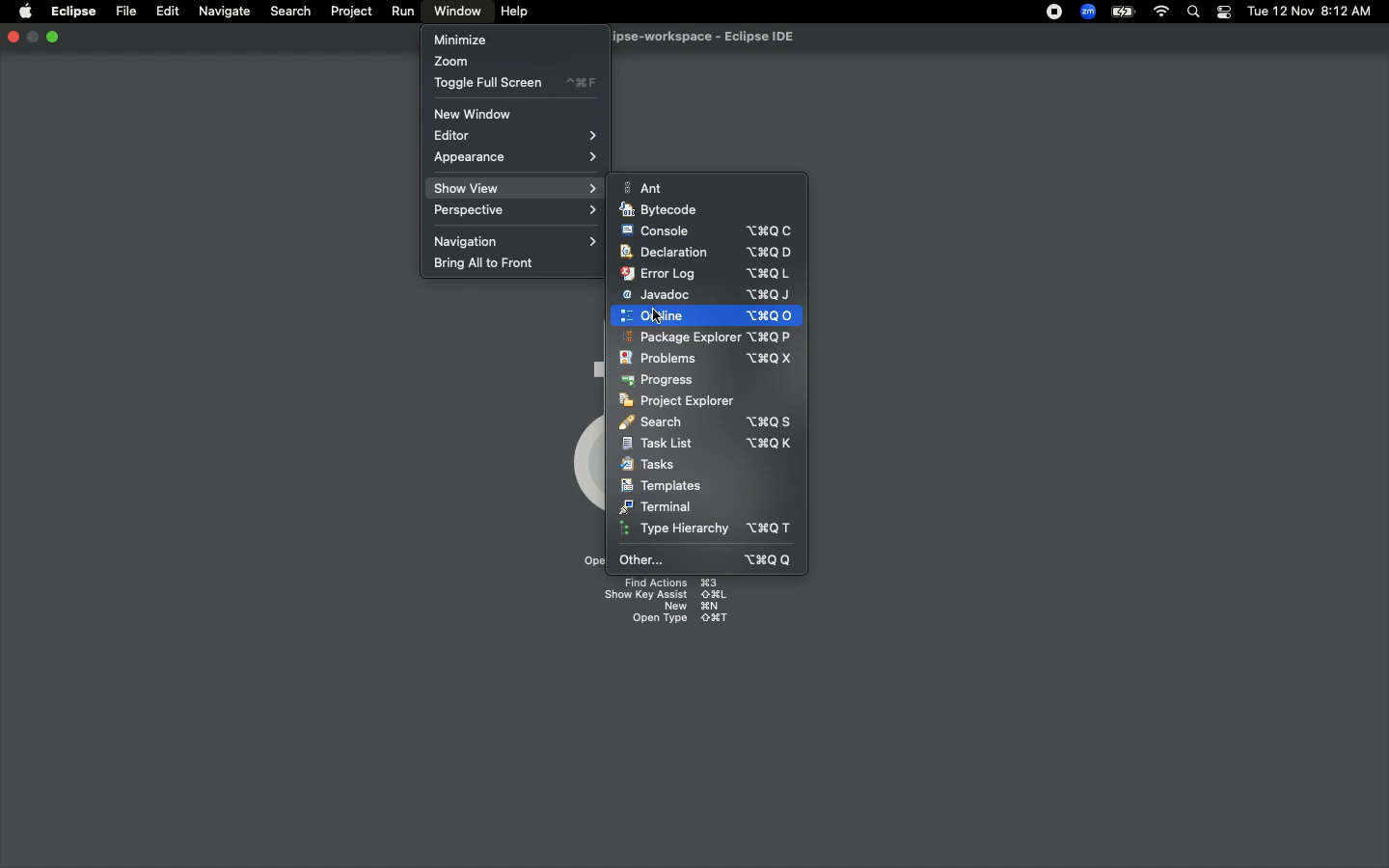  I want to click on Notification, so click(1223, 13).